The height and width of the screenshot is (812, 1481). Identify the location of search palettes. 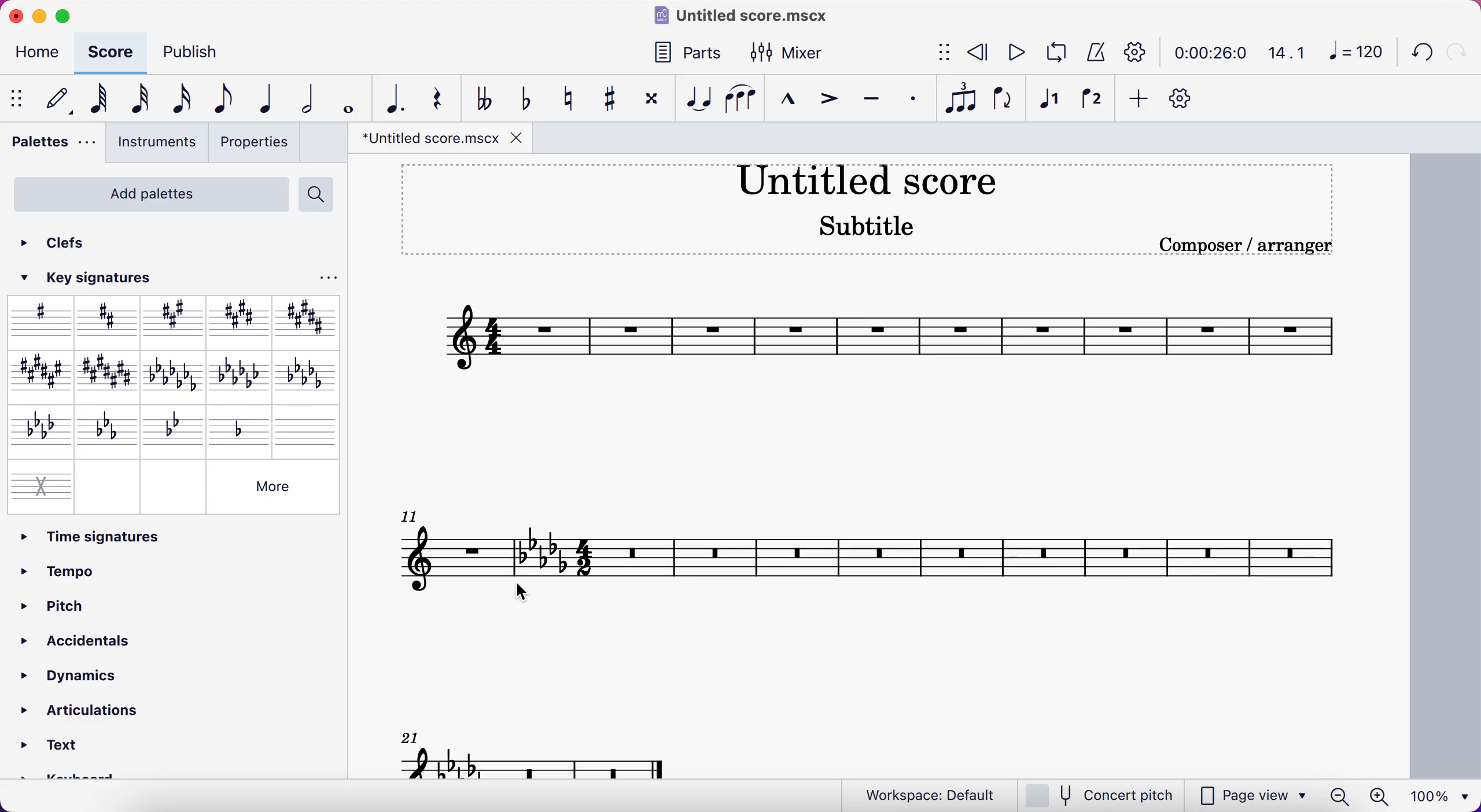
(318, 194).